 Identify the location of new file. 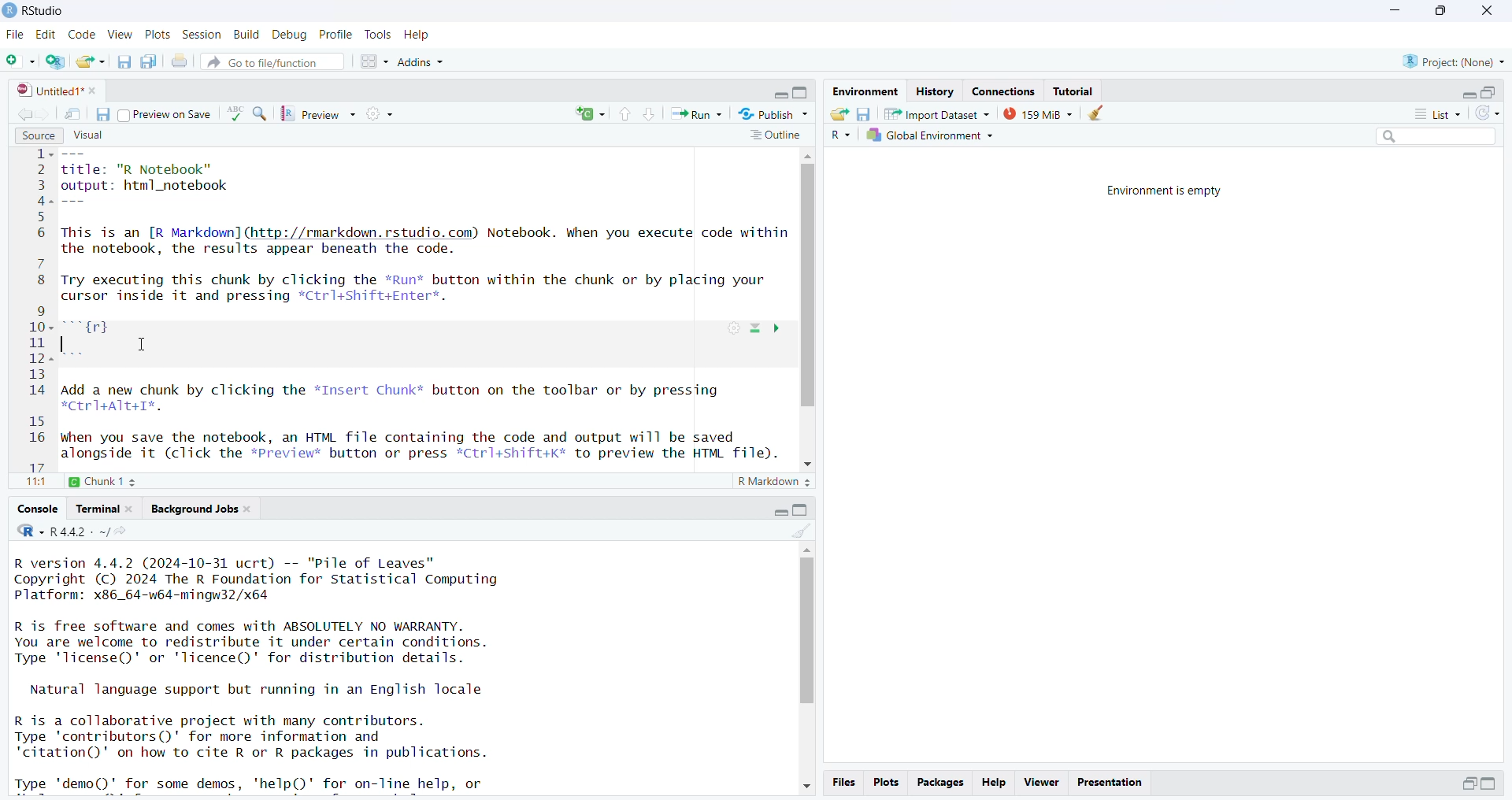
(20, 61).